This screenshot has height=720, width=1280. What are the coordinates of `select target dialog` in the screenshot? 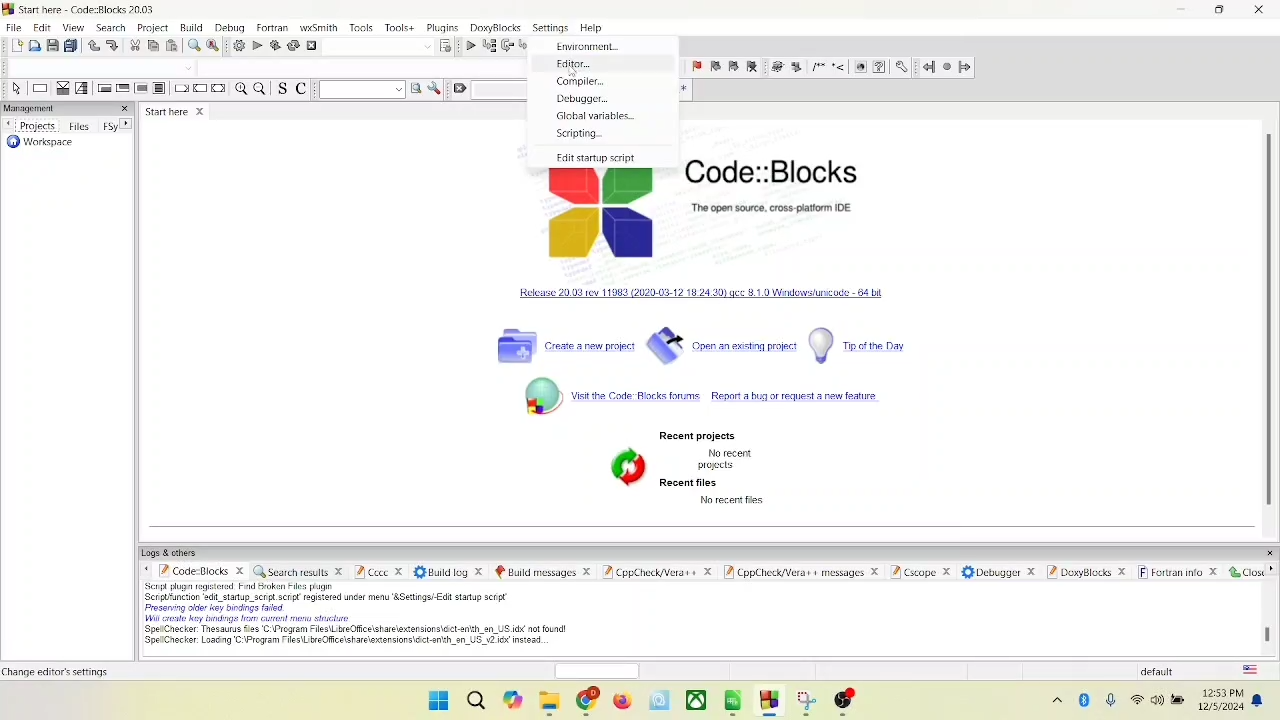 It's located at (445, 47).